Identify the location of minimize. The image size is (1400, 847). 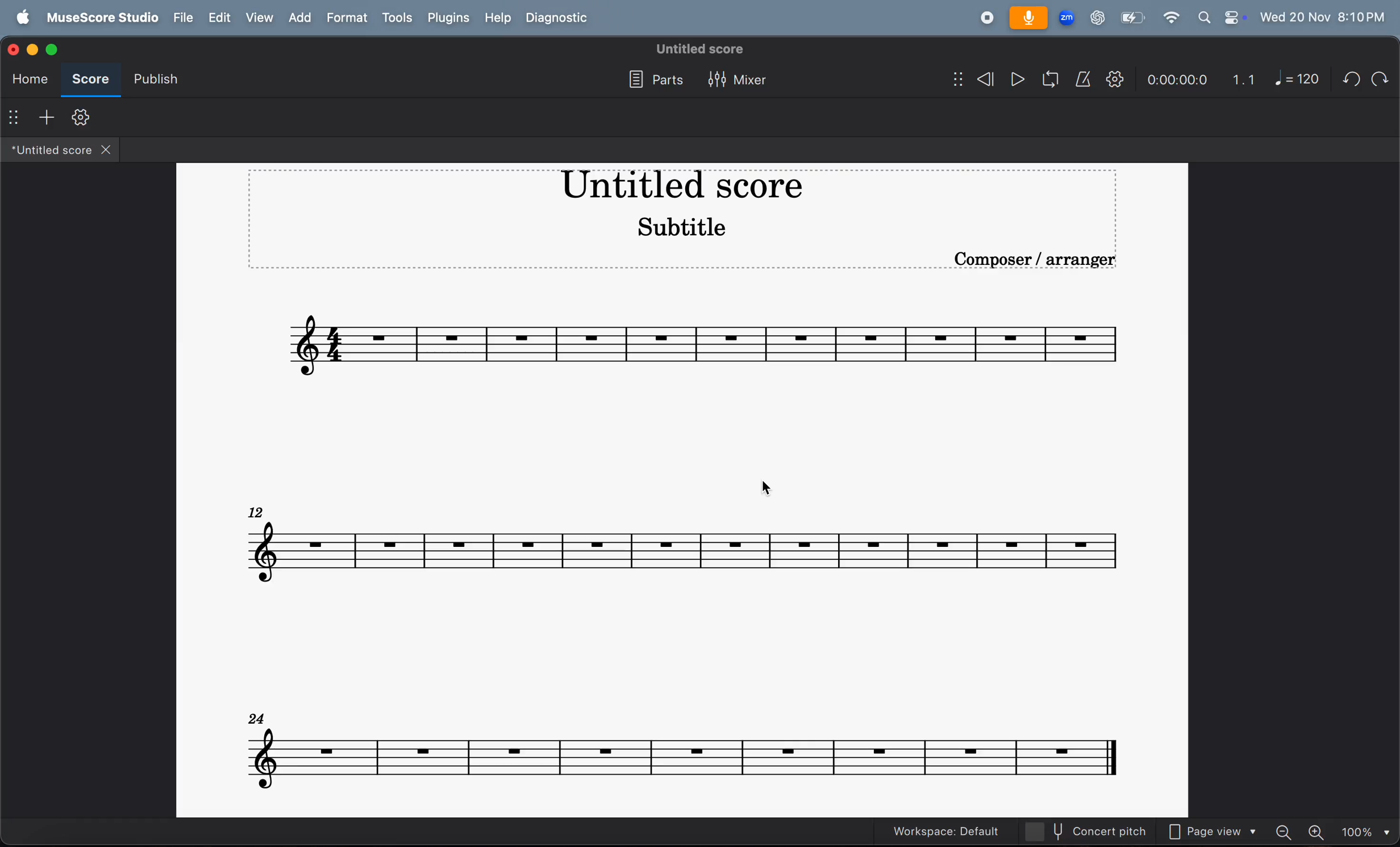
(36, 50).